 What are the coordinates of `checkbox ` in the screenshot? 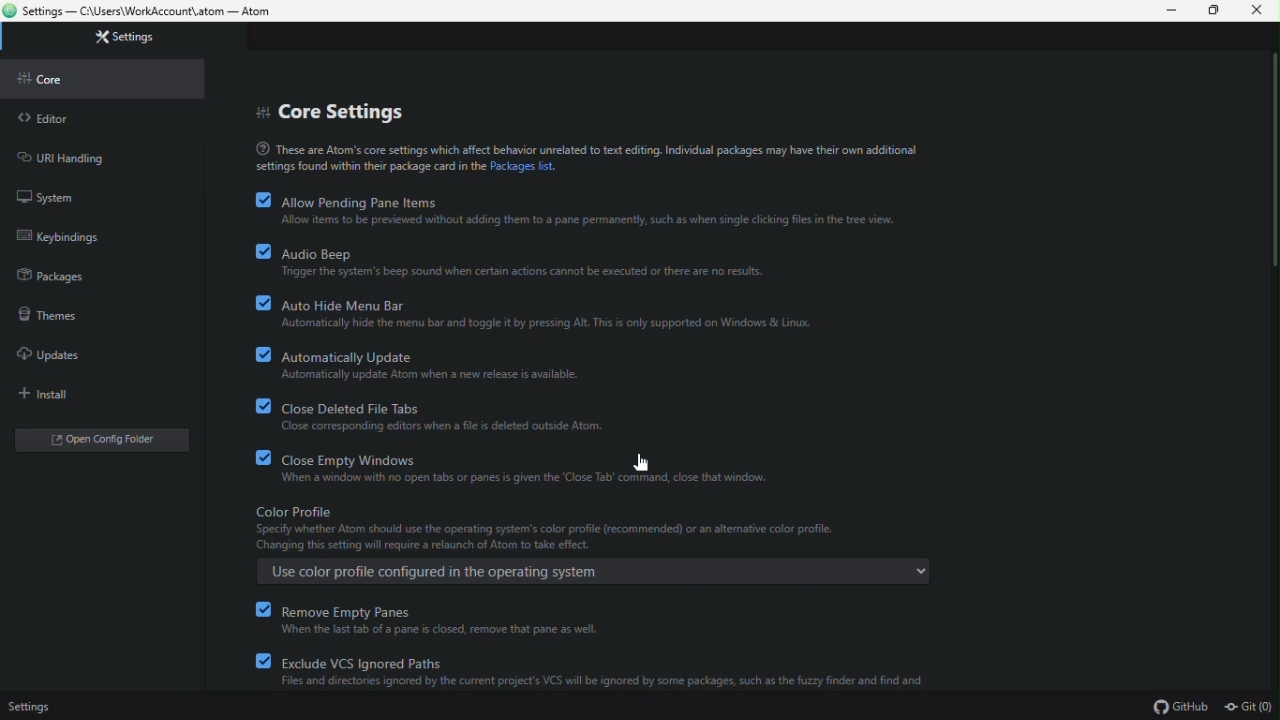 It's located at (264, 200).